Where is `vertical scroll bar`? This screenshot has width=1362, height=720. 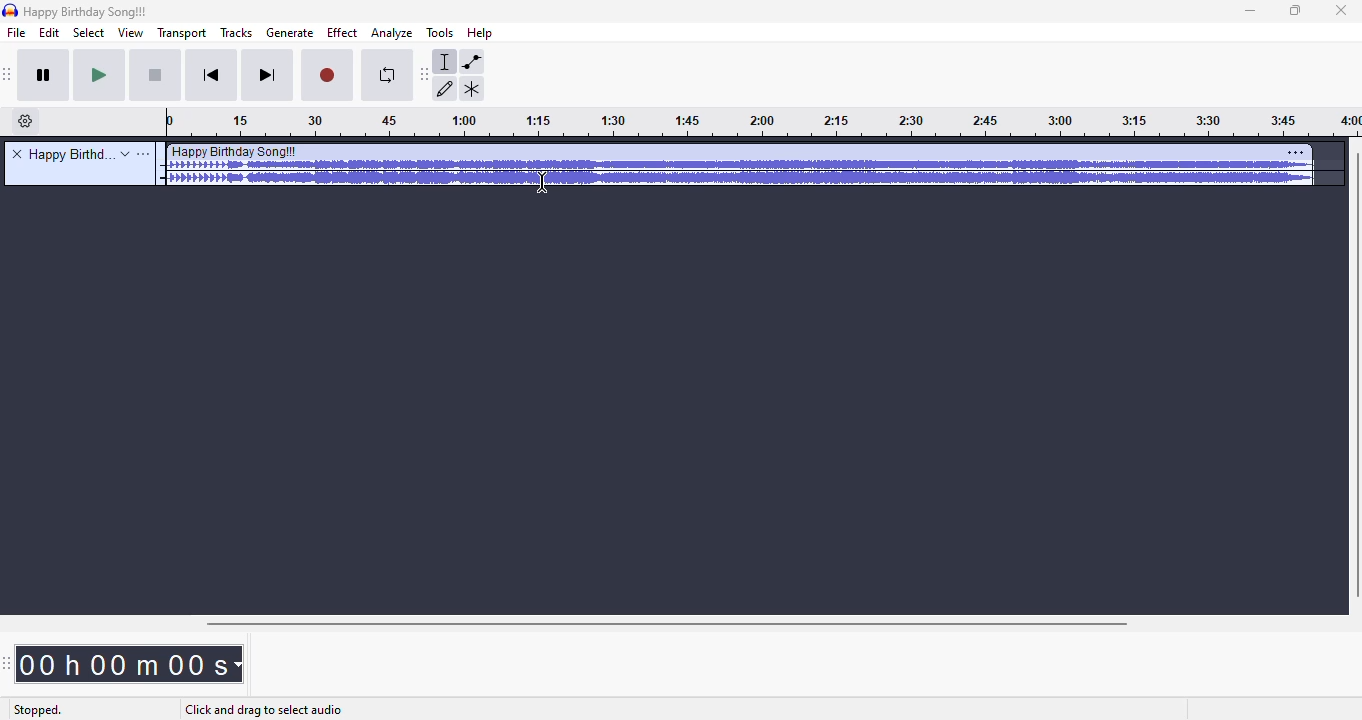 vertical scroll bar is located at coordinates (1353, 376).